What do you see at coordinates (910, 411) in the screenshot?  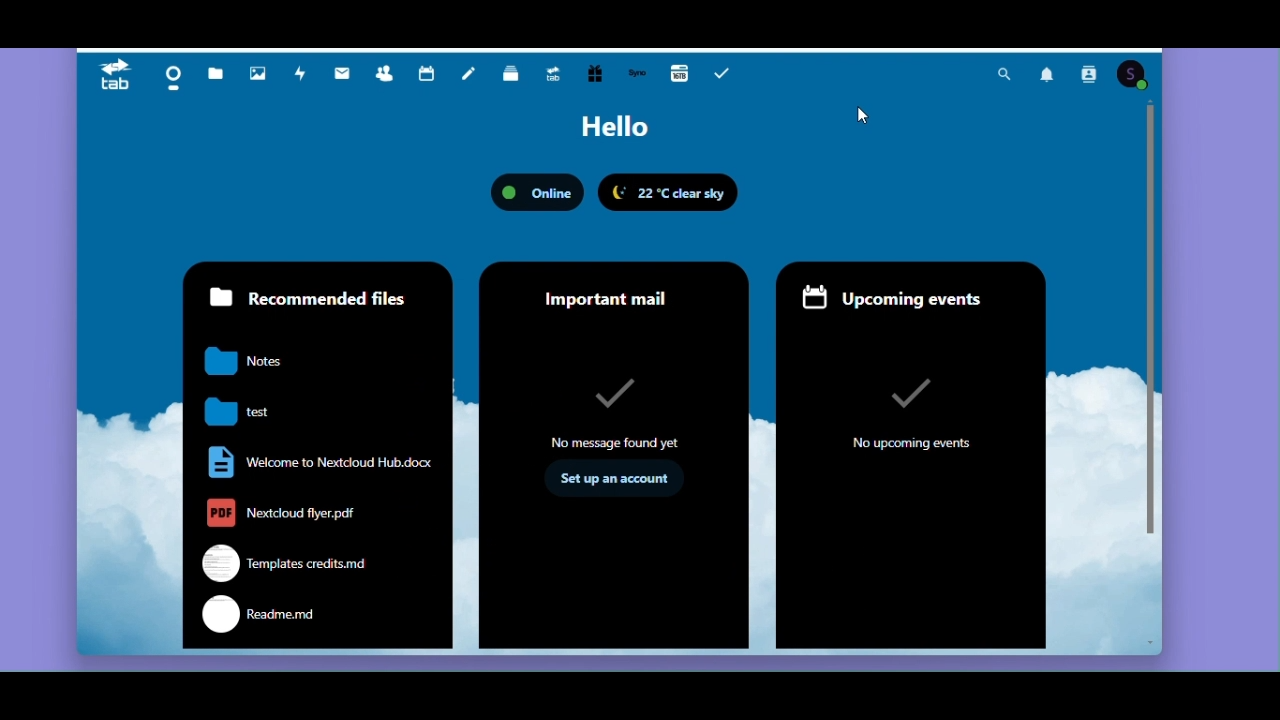 I see `no upcoming events` at bounding box center [910, 411].